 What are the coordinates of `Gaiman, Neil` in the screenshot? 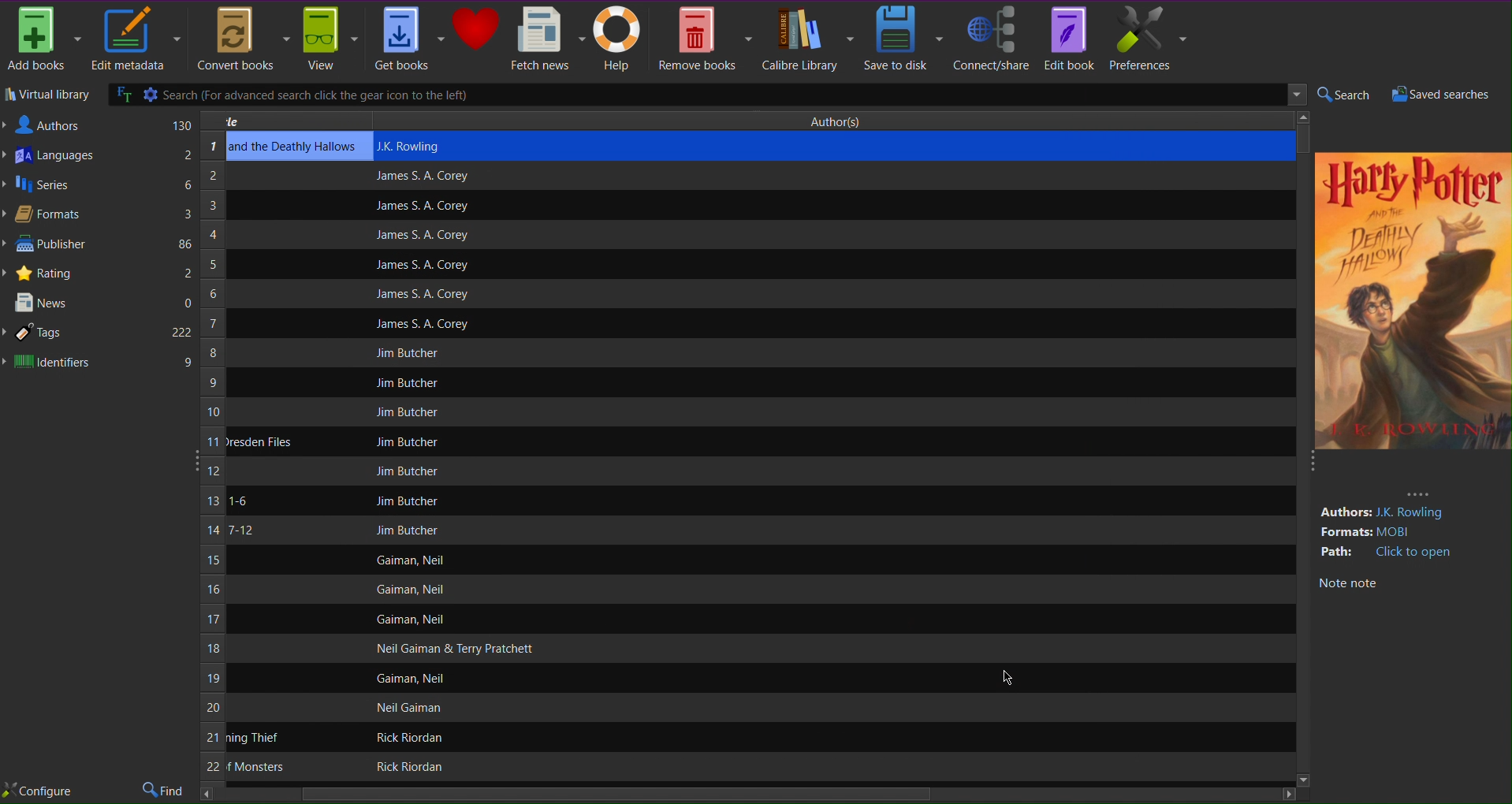 It's located at (412, 620).